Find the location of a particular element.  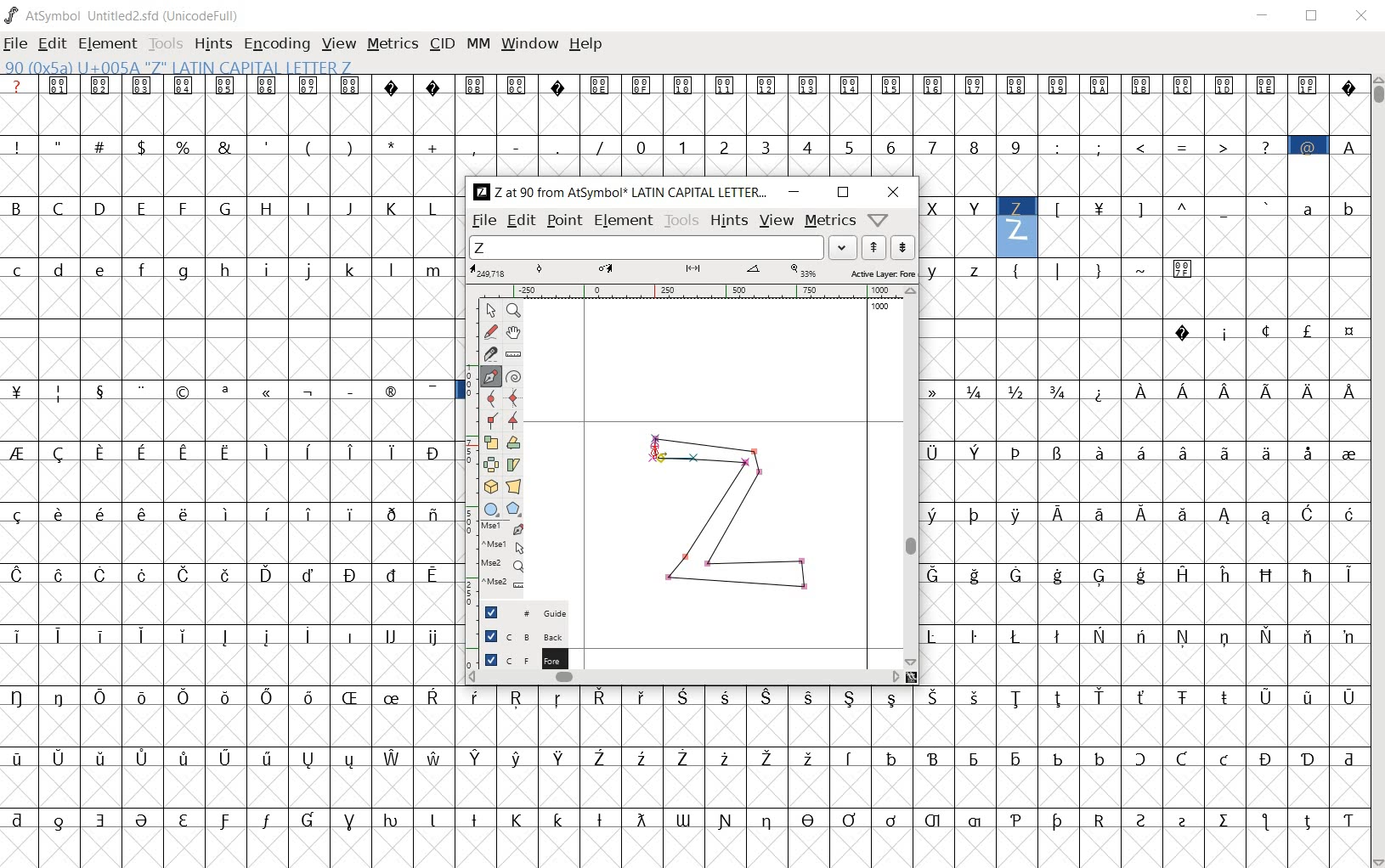

draw a freehand curve is located at coordinates (490, 332).